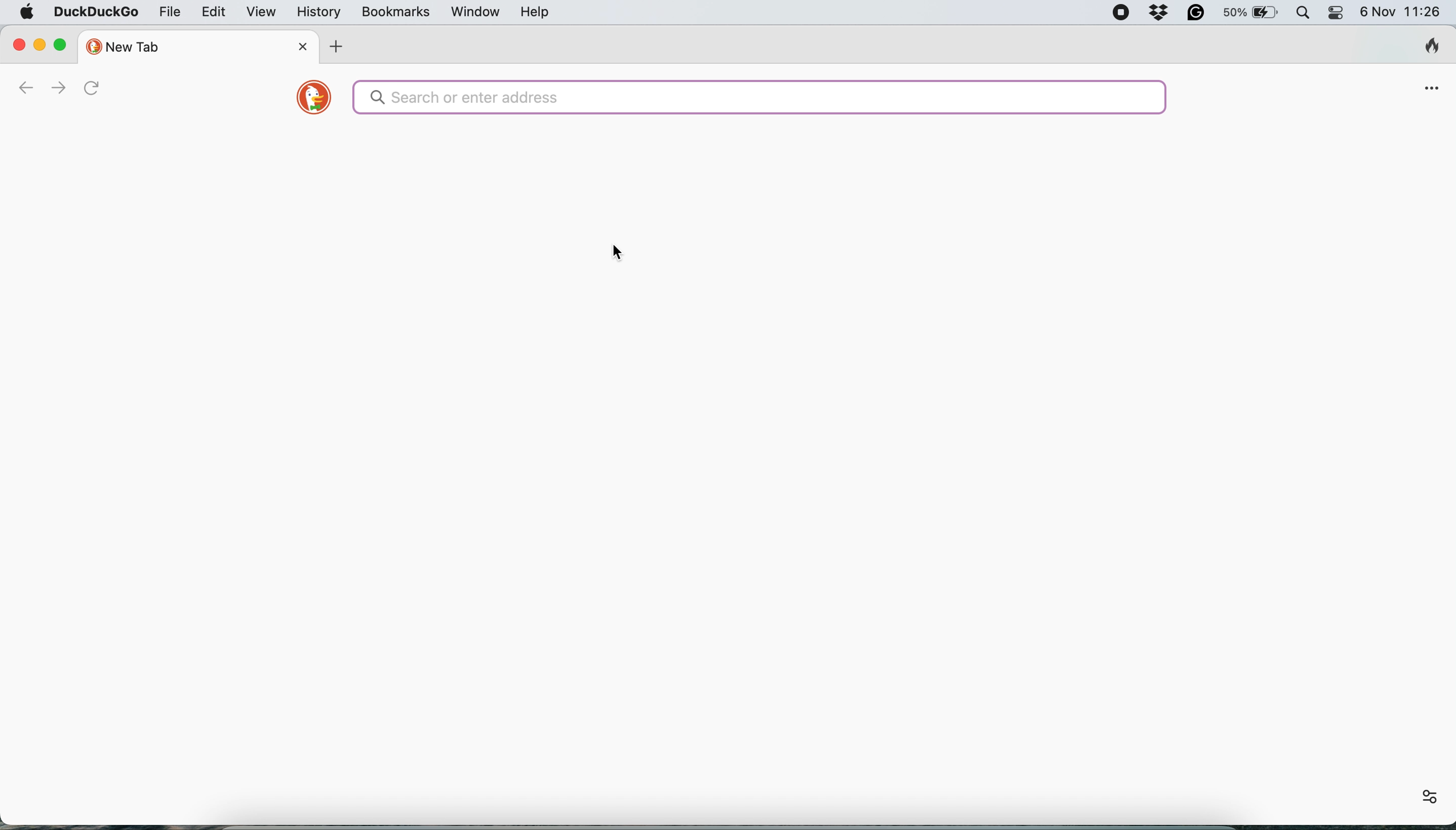 Image resolution: width=1456 pixels, height=830 pixels. I want to click on settings, so click(1426, 797).